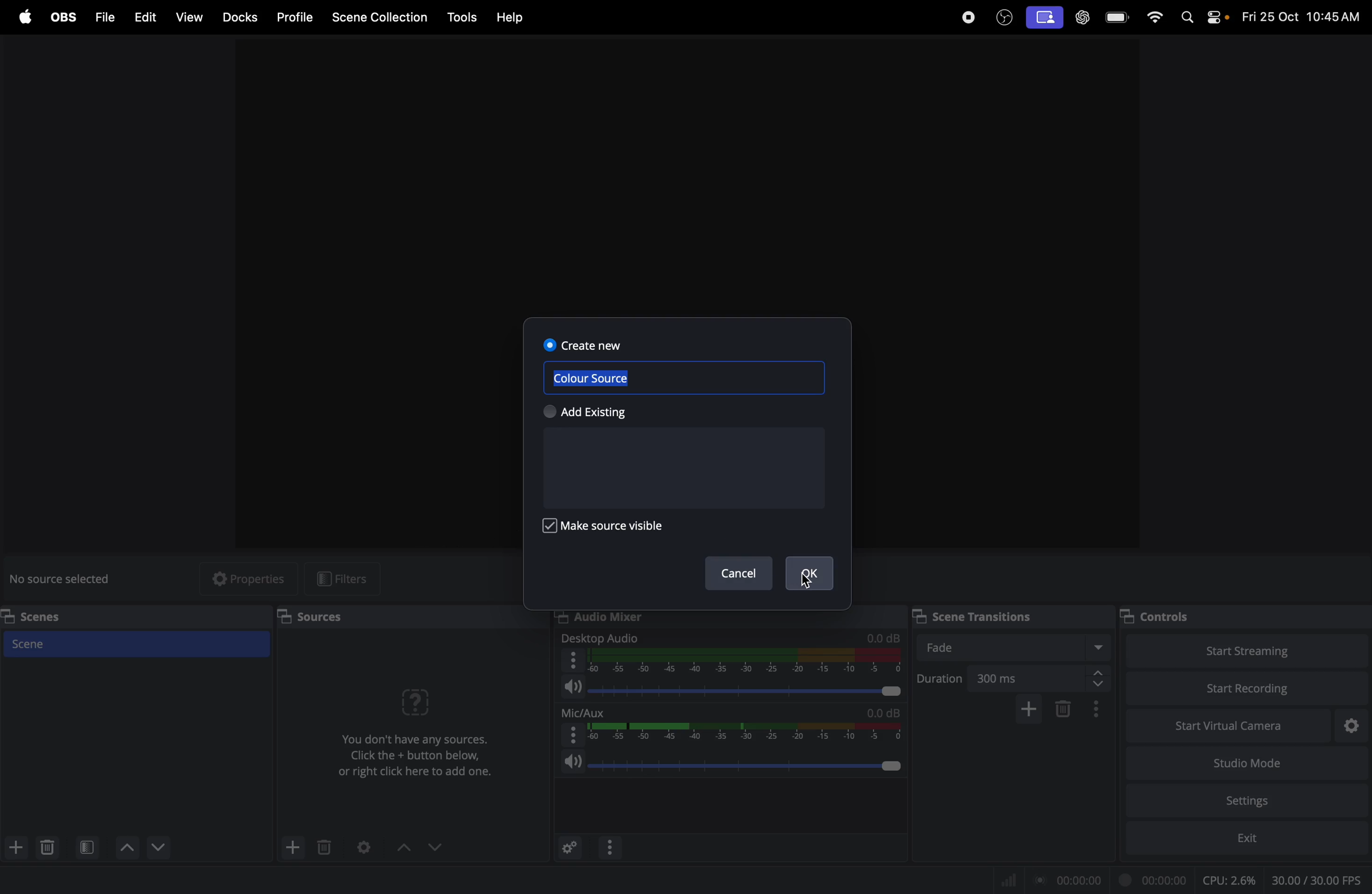  What do you see at coordinates (364, 848) in the screenshot?
I see `Open sorce properties` at bounding box center [364, 848].